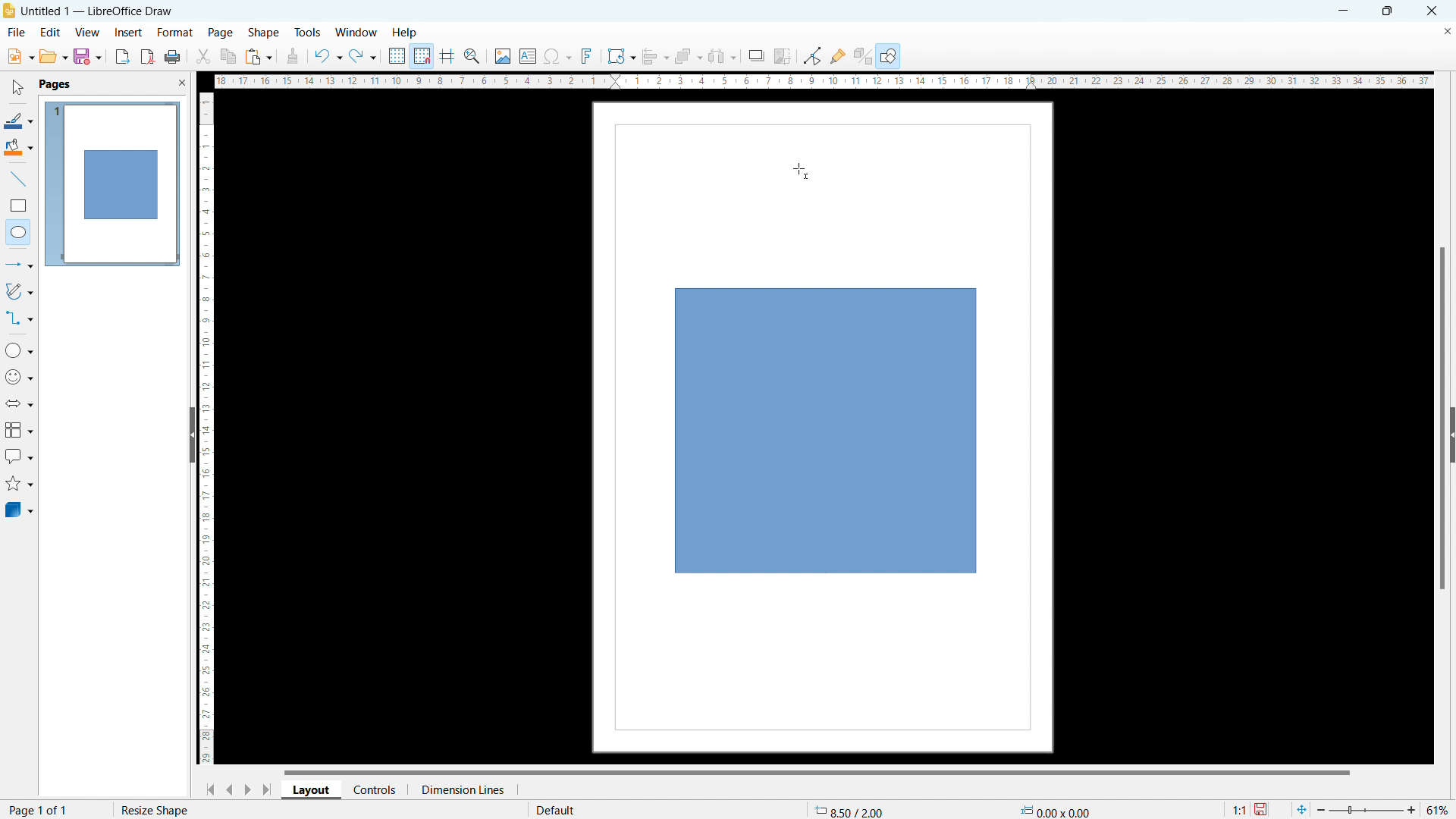  Describe the element at coordinates (19, 350) in the screenshot. I see `basic shapes` at that location.